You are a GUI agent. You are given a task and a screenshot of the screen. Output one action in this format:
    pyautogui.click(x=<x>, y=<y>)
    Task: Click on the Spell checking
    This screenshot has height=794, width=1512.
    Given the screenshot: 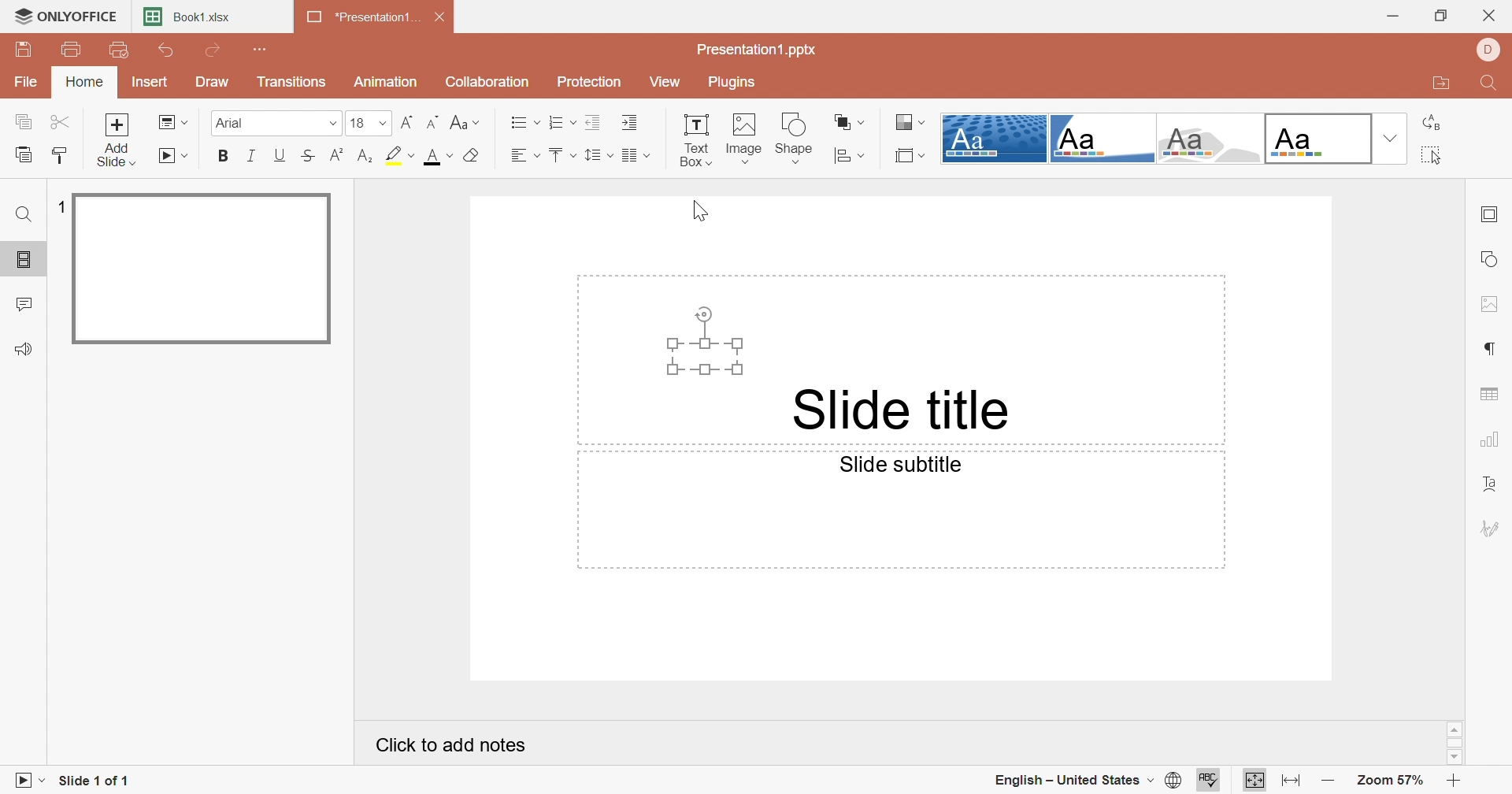 What is the action you would take?
    pyautogui.click(x=1209, y=780)
    